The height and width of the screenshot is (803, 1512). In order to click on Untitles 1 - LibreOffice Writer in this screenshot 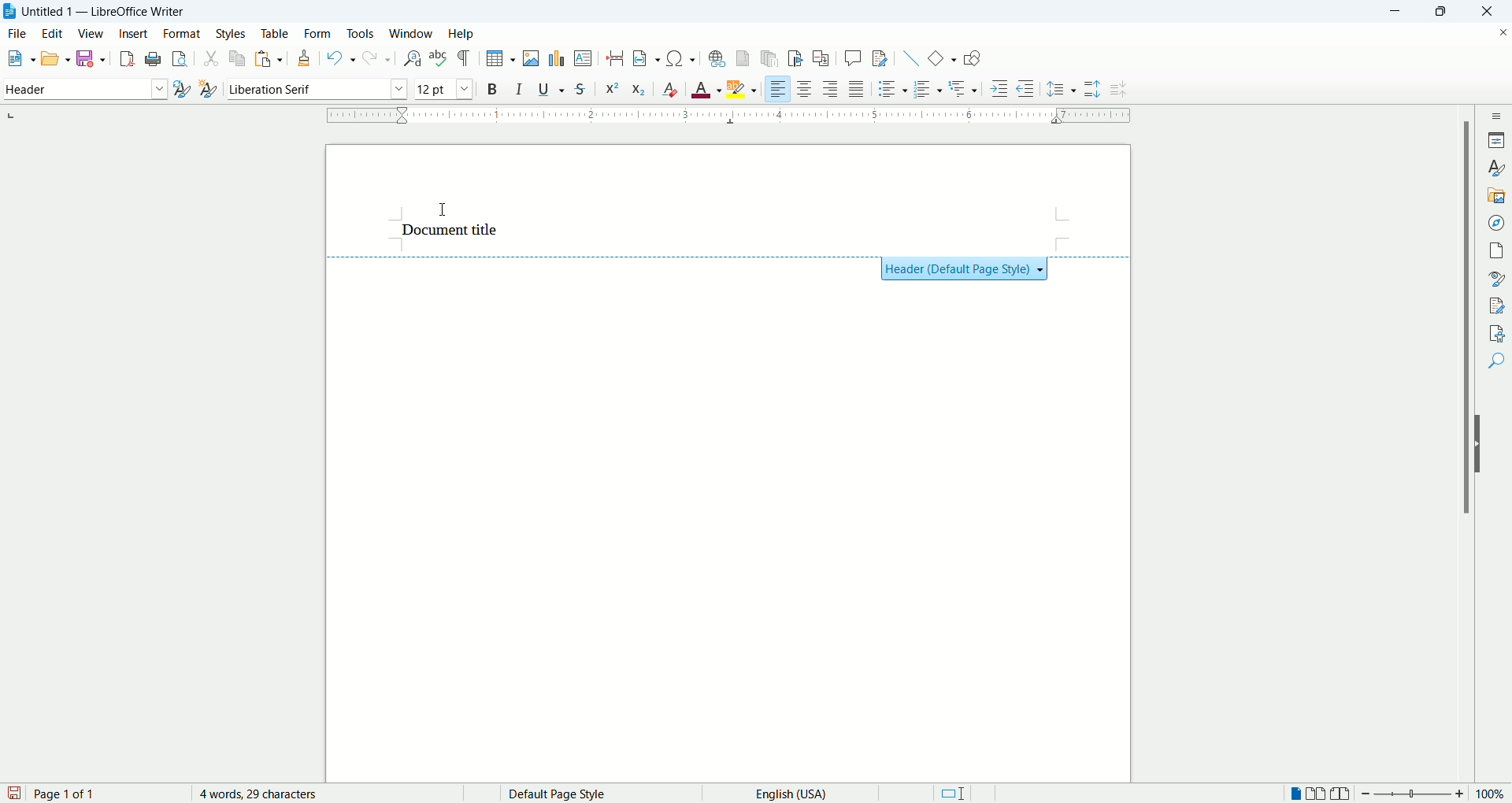, I will do `click(107, 9)`.